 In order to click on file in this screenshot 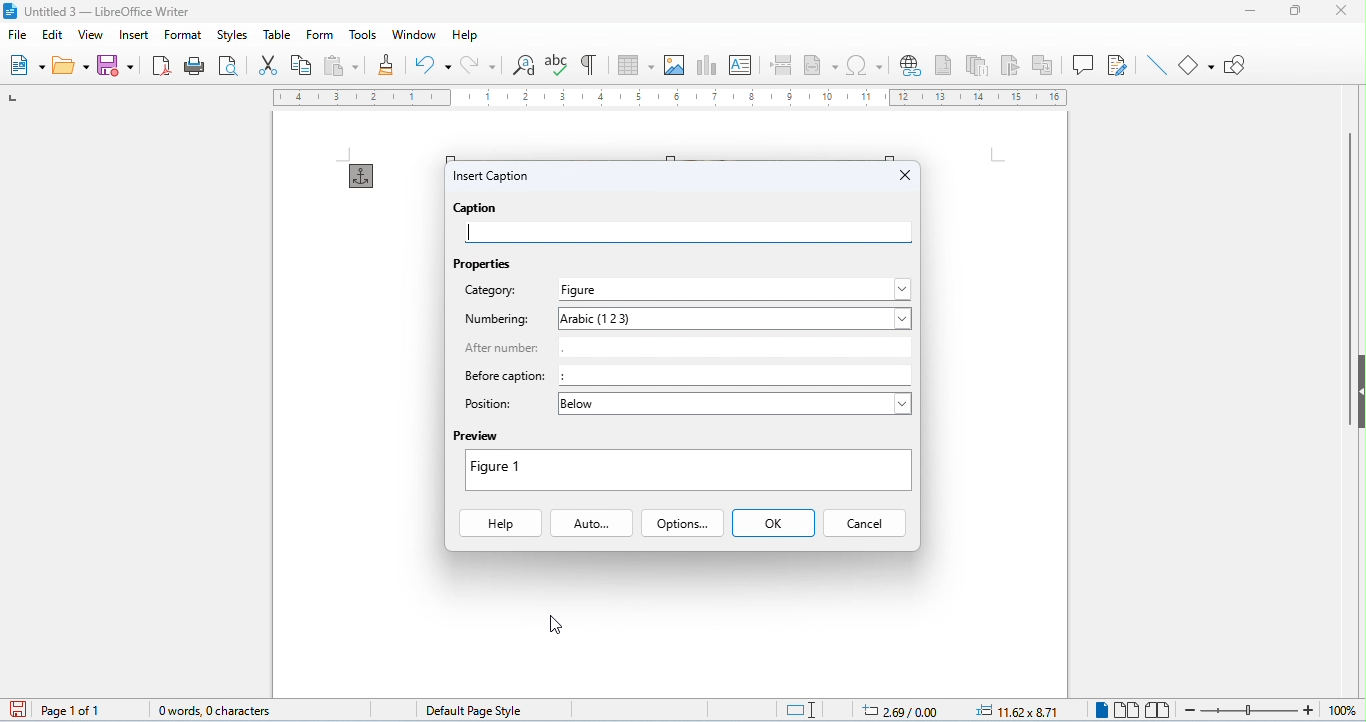, I will do `click(17, 36)`.